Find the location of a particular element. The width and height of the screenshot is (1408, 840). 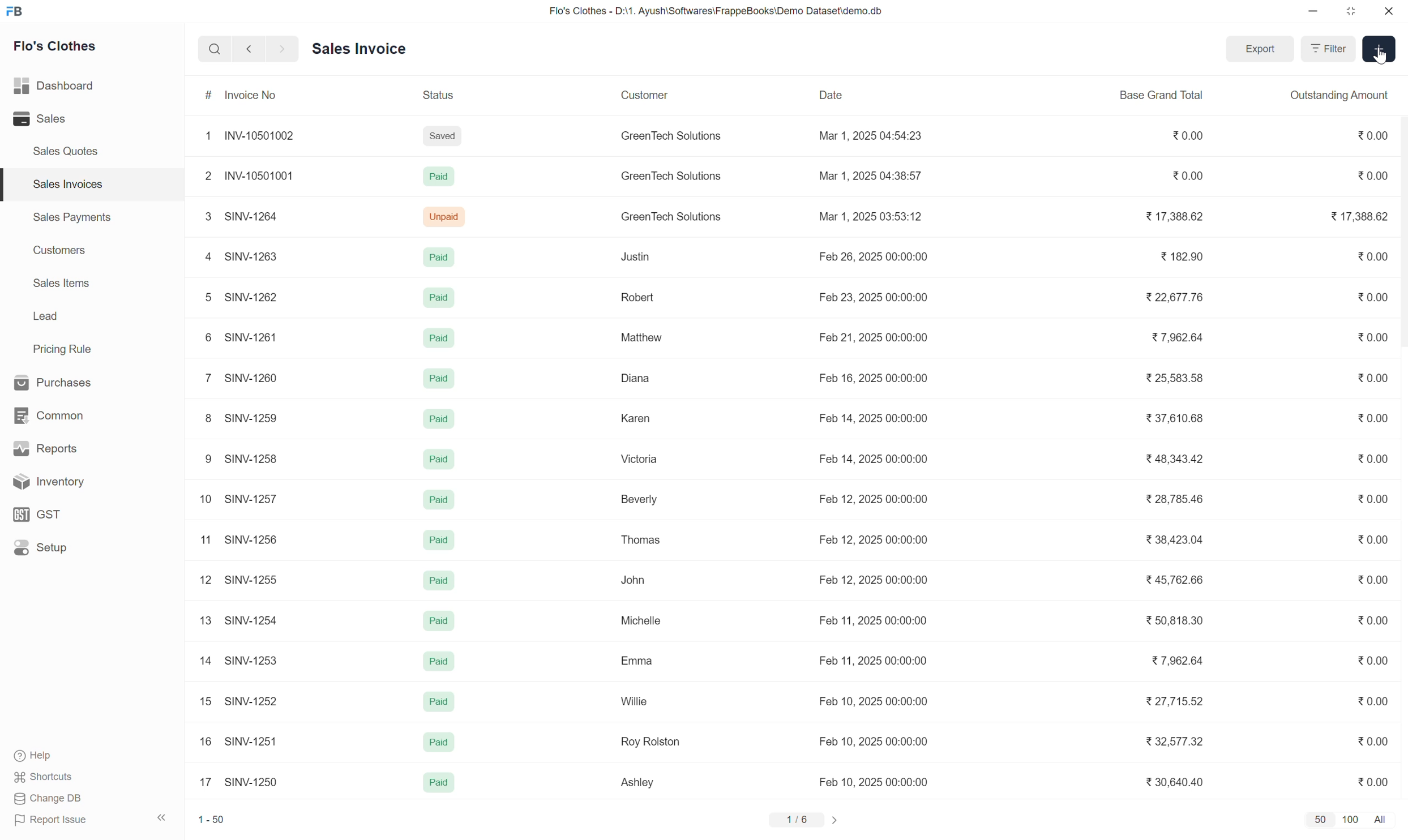

Feb 11, 2025 00:00:00 is located at coordinates (874, 662).